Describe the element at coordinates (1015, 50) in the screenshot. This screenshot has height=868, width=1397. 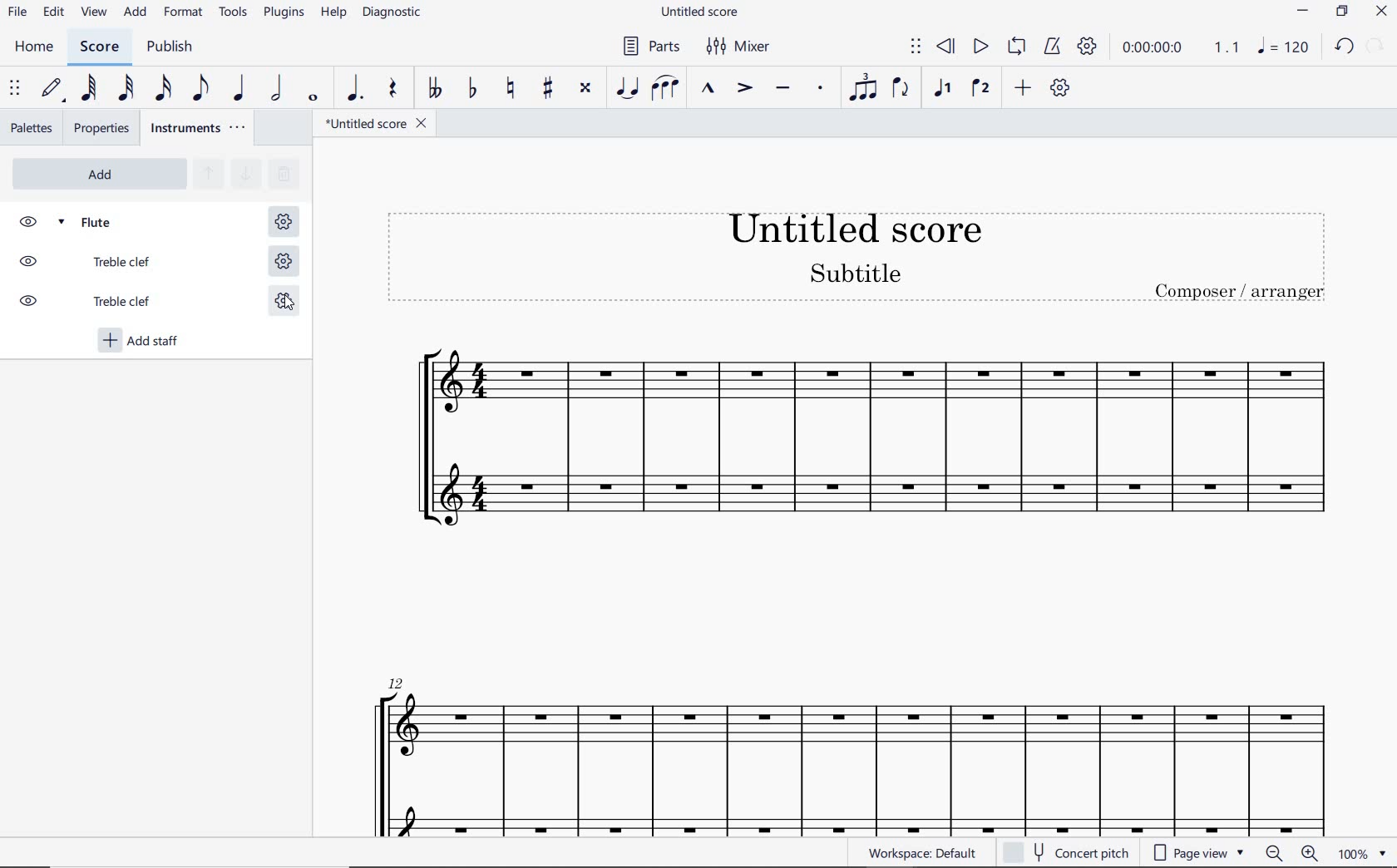
I see `LOOP PLAYBACK` at that location.